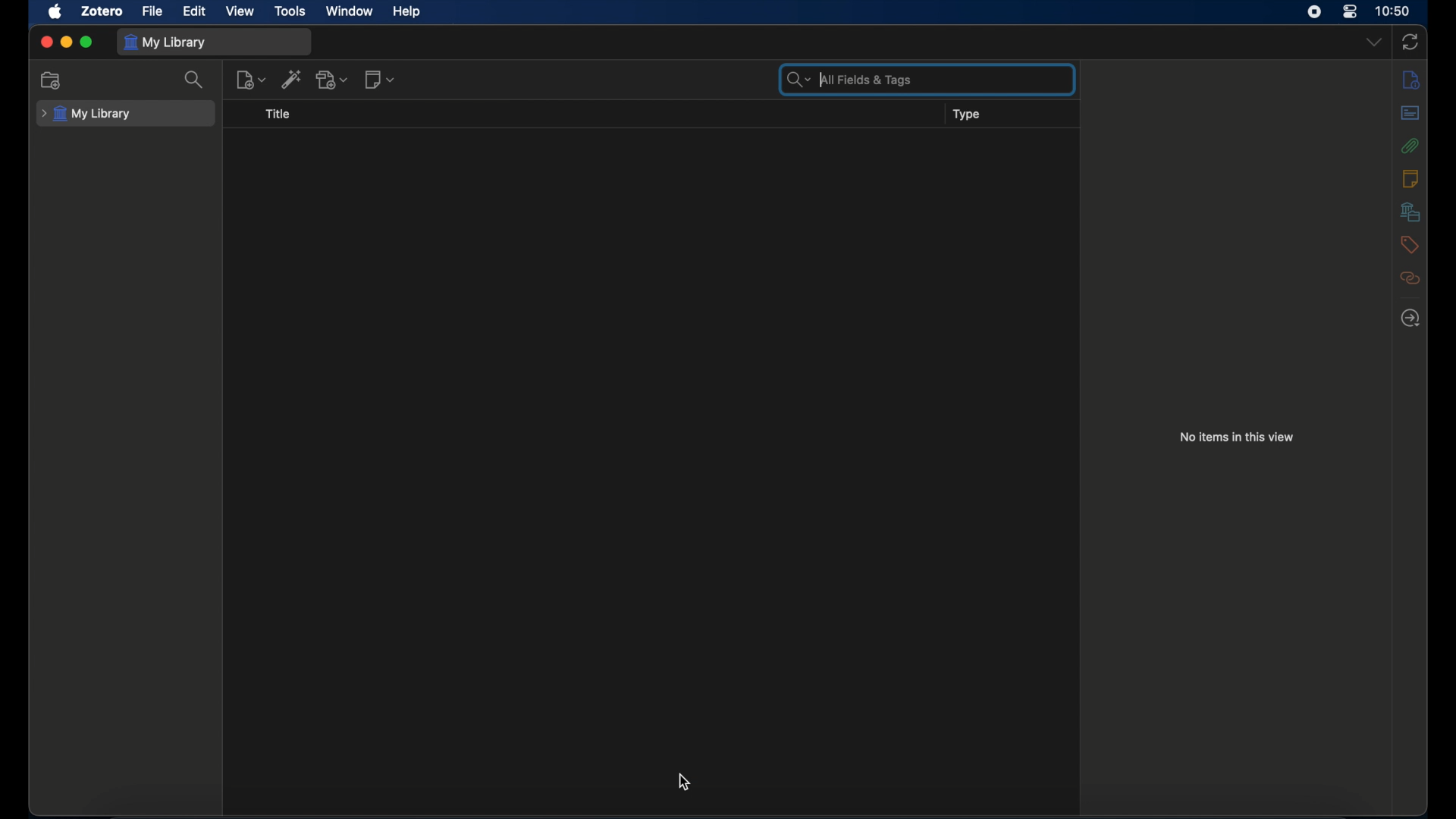 The image size is (1456, 819). What do you see at coordinates (1313, 12) in the screenshot?
I see `screen recorder` at bounding box center [1313, 12].